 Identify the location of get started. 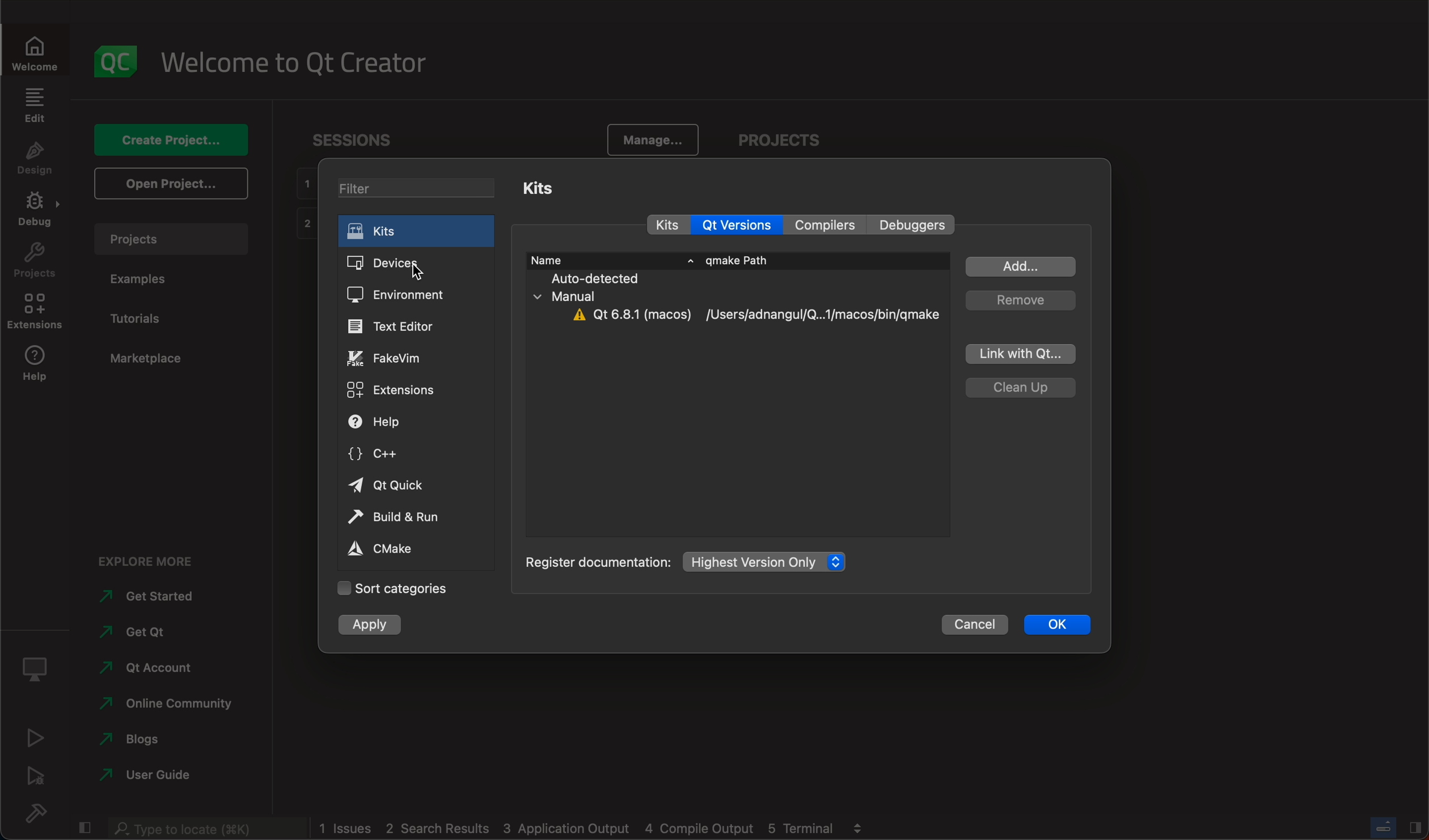
(163, 597).